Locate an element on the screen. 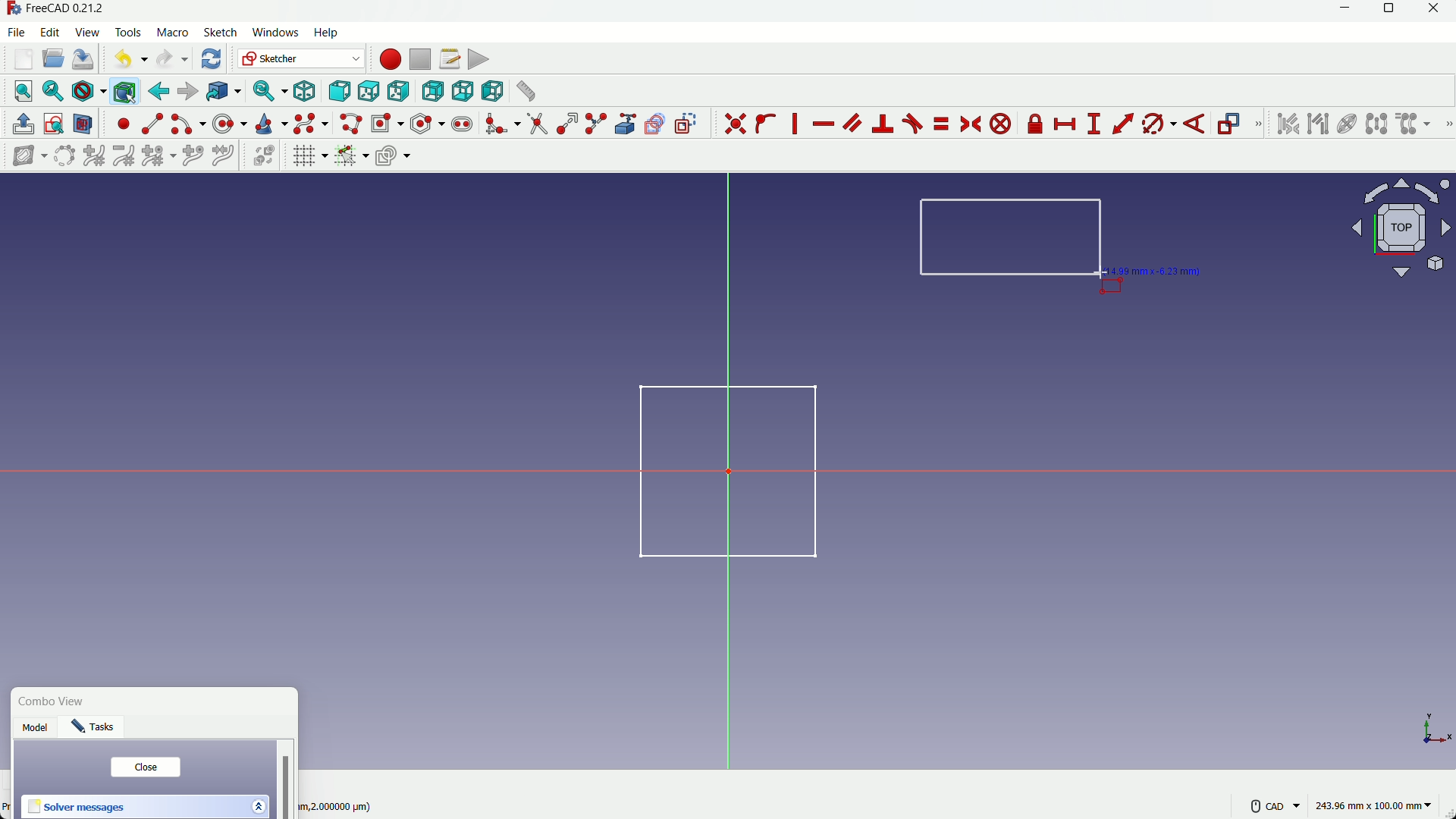  create line is located at coordinates (152, 124).